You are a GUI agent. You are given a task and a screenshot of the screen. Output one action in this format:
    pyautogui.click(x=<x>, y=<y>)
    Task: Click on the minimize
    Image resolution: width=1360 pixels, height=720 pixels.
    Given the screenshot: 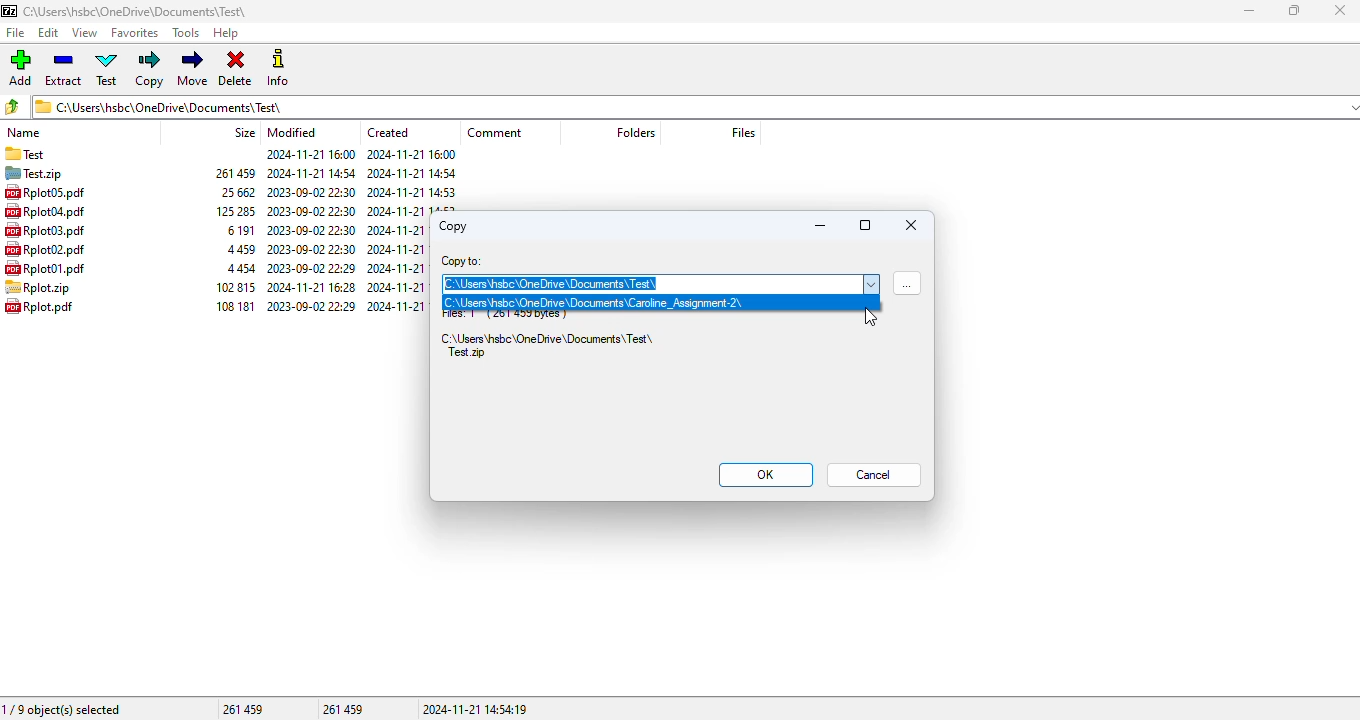 What is the action you would take?
    pyautogui.click(x=1247, y=11)
    